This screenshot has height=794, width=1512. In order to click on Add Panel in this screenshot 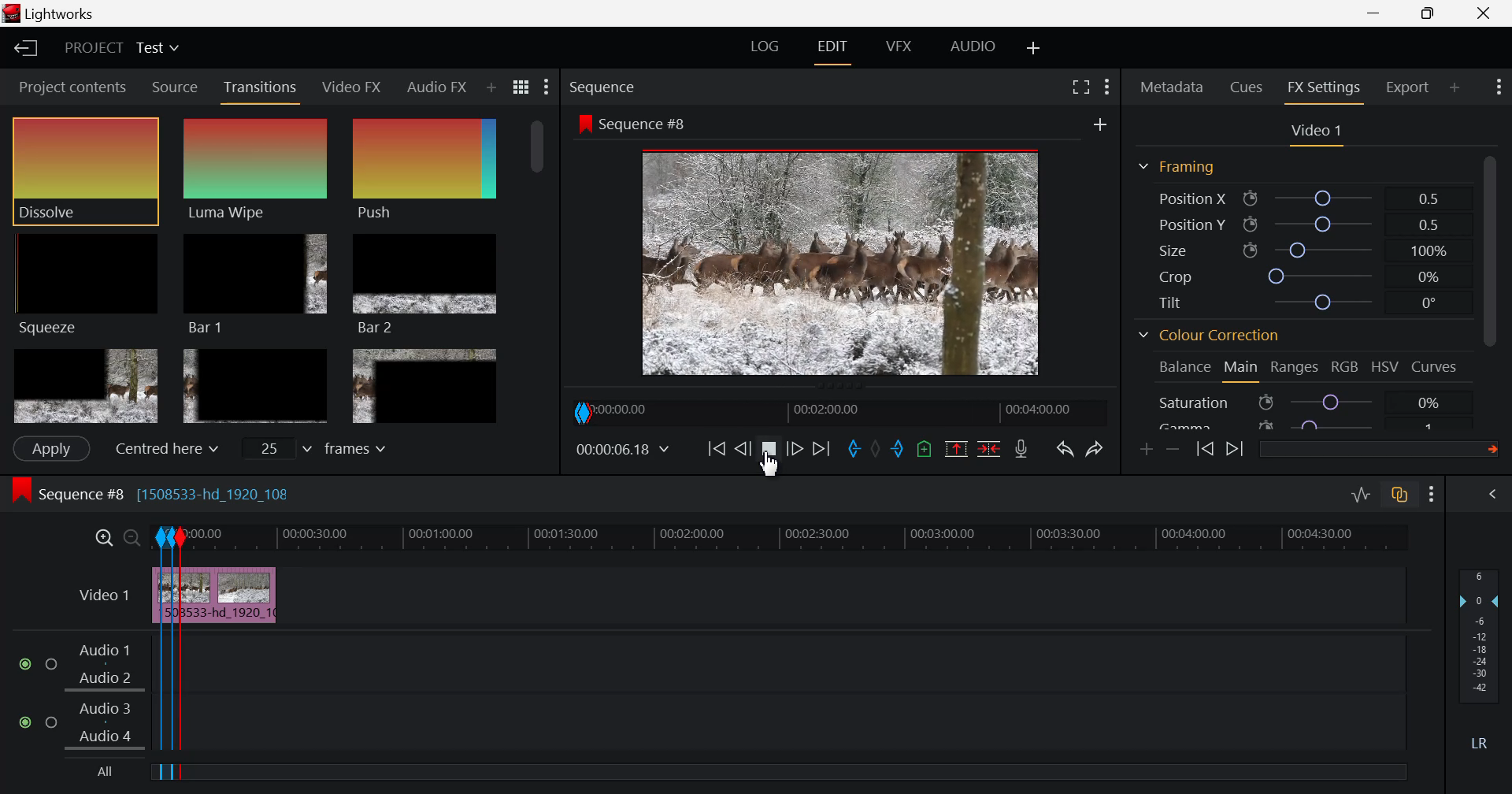, I will do `click(490, 89)`.